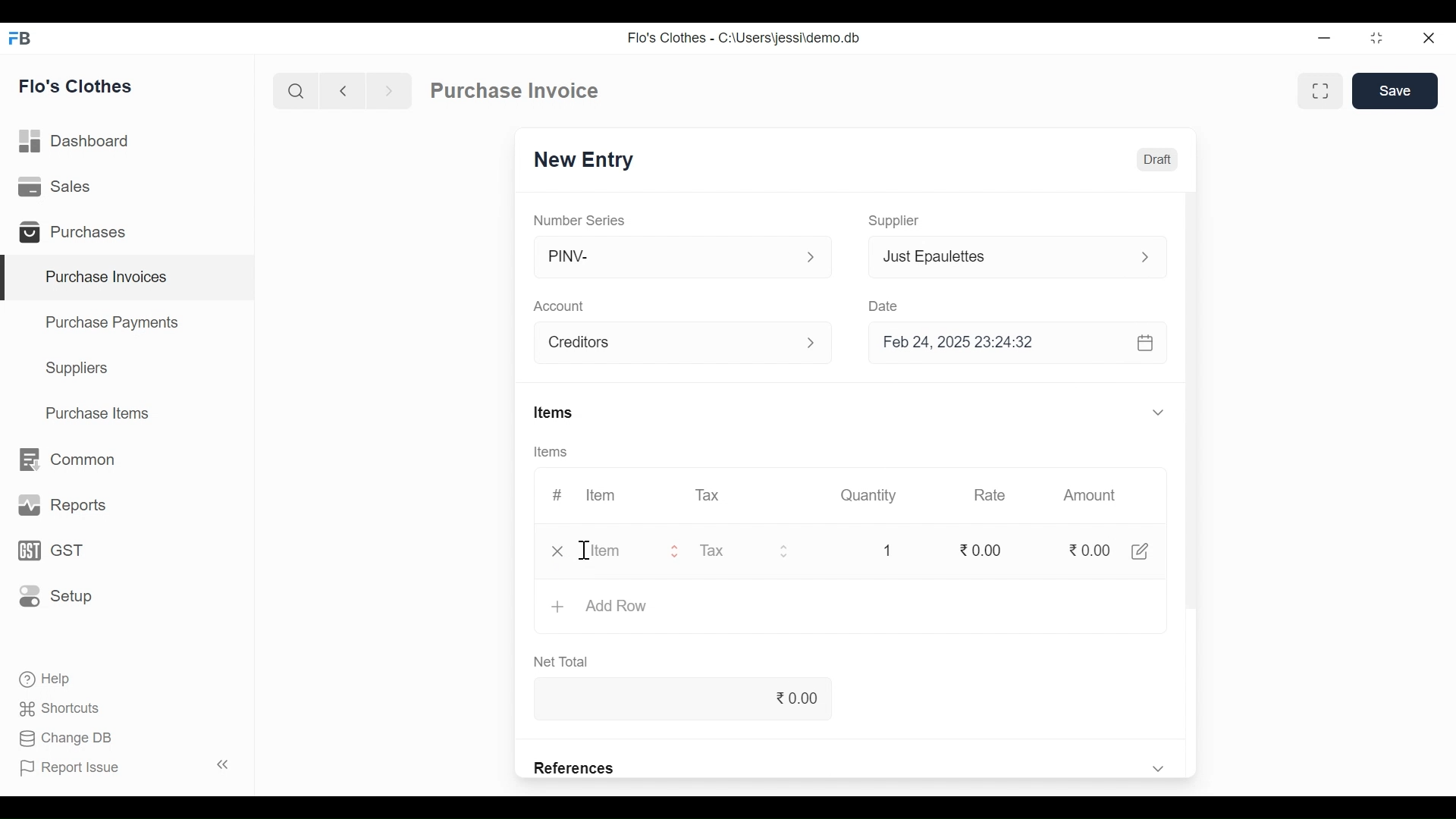 The height and width of the screenshot is (819, 1456). Describe the element at coordinates (712, 496) in the screenshot. I see `Tax` at that location.